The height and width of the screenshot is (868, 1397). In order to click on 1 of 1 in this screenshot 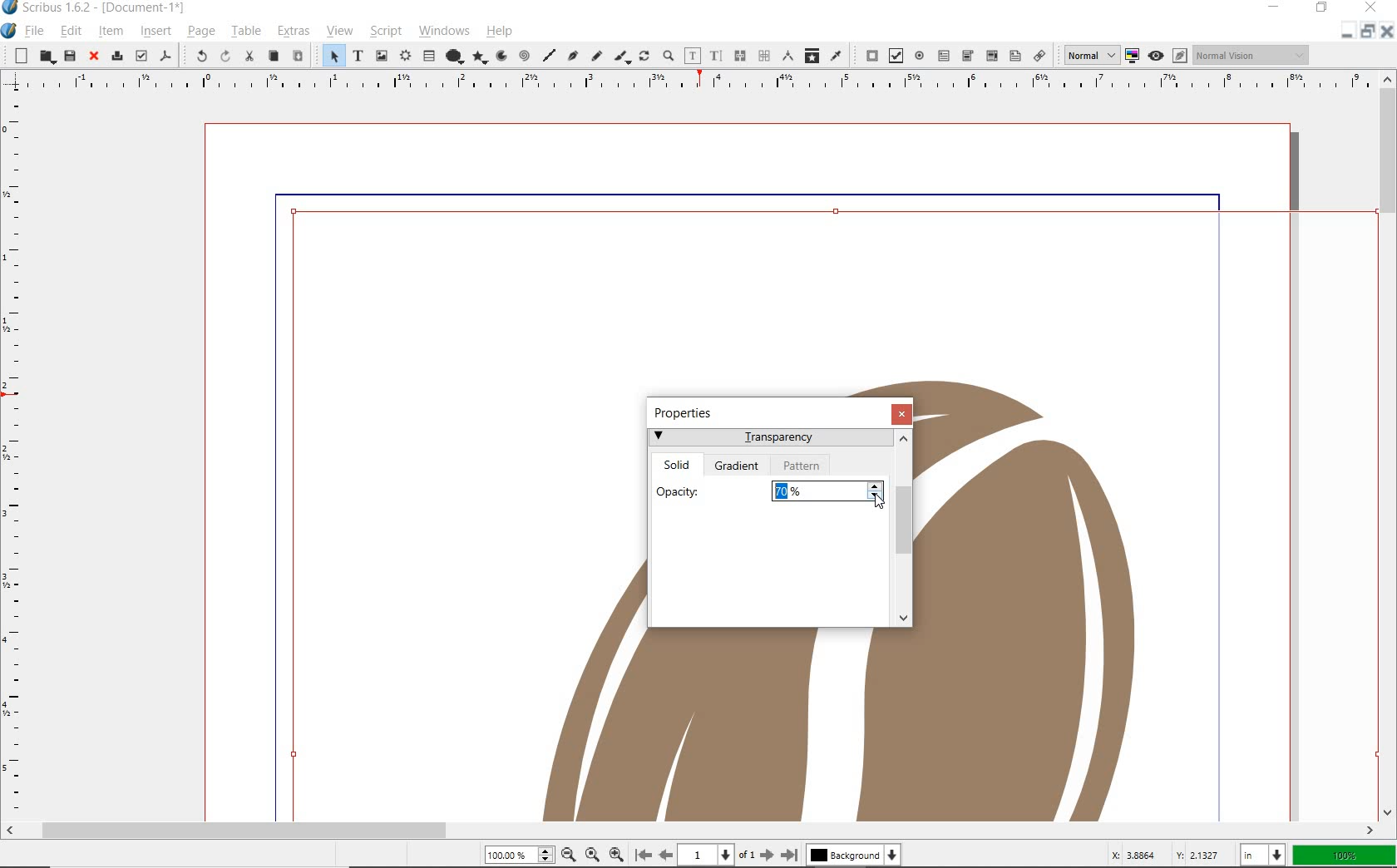, I will do `click(717, 856)`.